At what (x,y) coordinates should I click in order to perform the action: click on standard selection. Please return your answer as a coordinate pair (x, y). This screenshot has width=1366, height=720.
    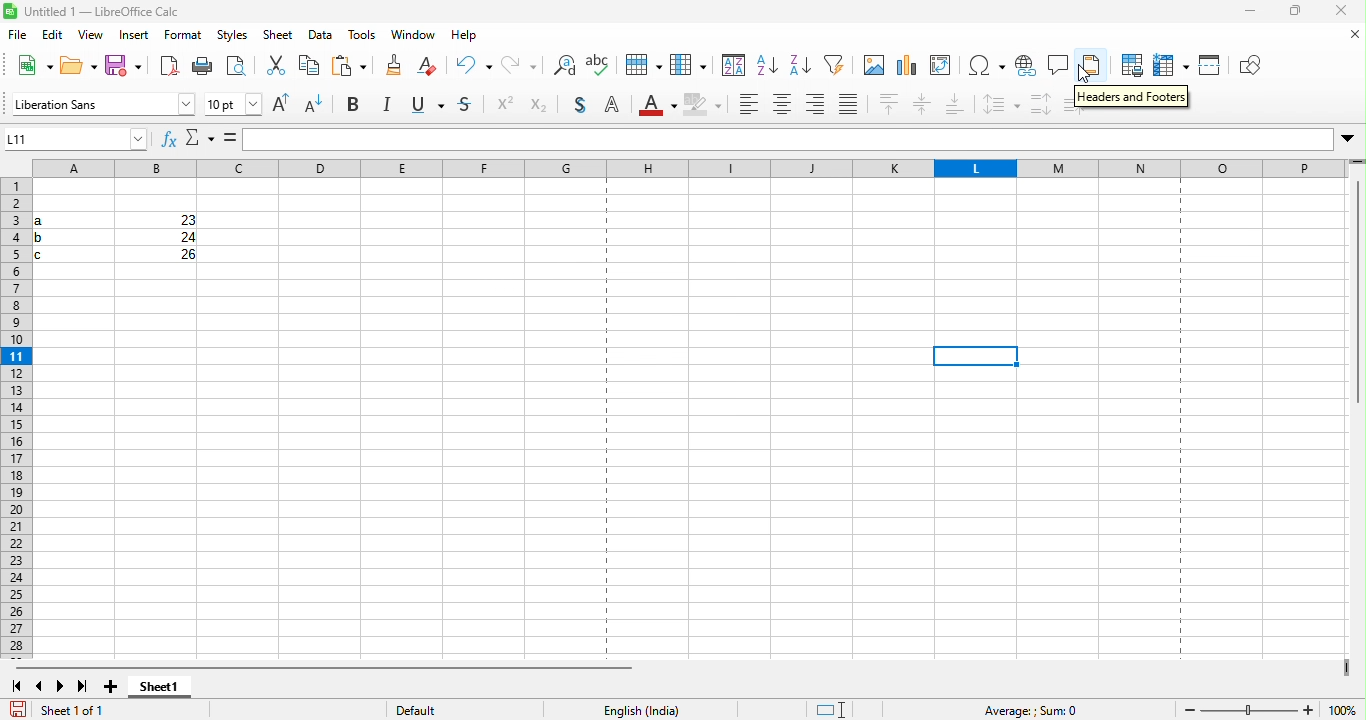
    Looking at the image, I should click on (826, 707).